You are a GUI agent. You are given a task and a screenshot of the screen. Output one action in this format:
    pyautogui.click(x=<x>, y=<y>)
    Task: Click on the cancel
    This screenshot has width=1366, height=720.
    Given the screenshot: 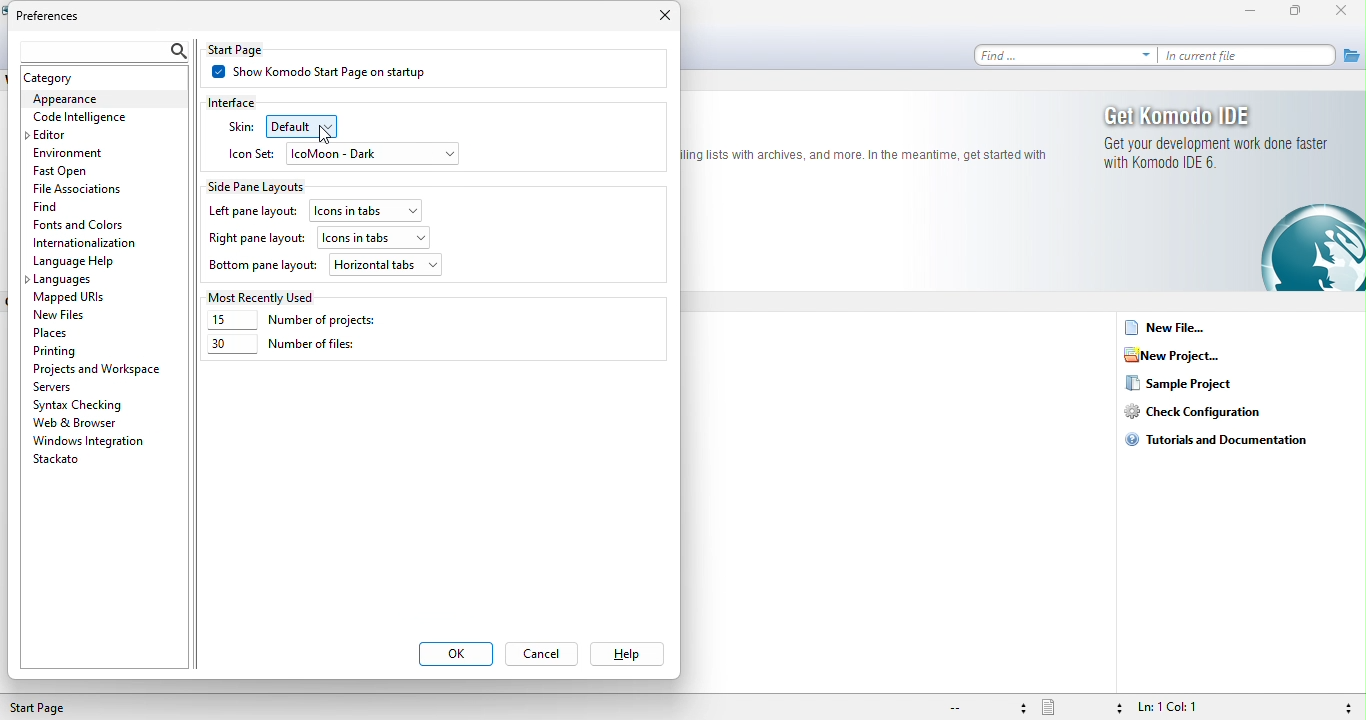 What is the action you would take?
    pyautogui.click(x=546, y=656)
    